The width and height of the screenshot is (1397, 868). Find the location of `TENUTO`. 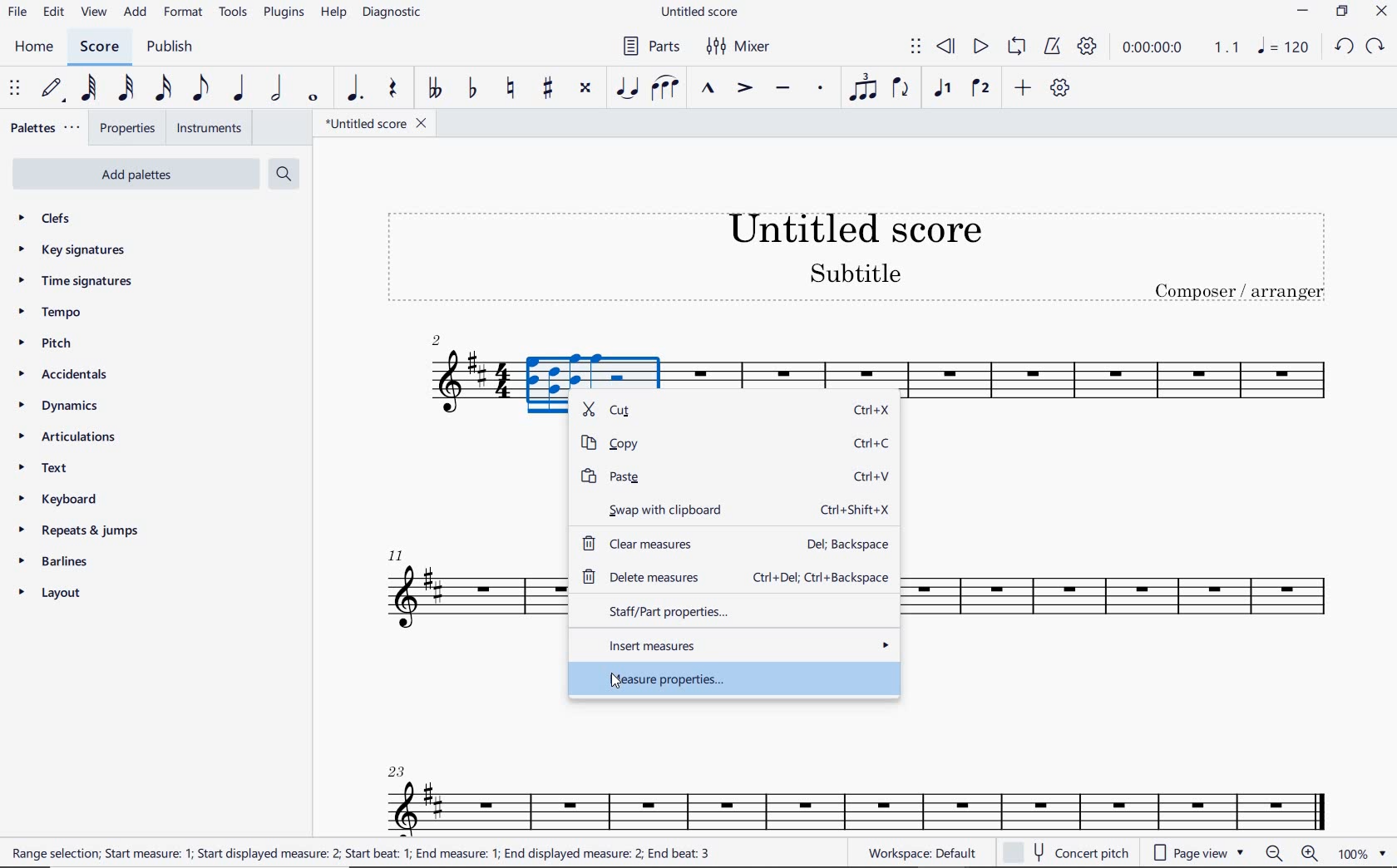

TENUTO is located at coordinates (782, 90).